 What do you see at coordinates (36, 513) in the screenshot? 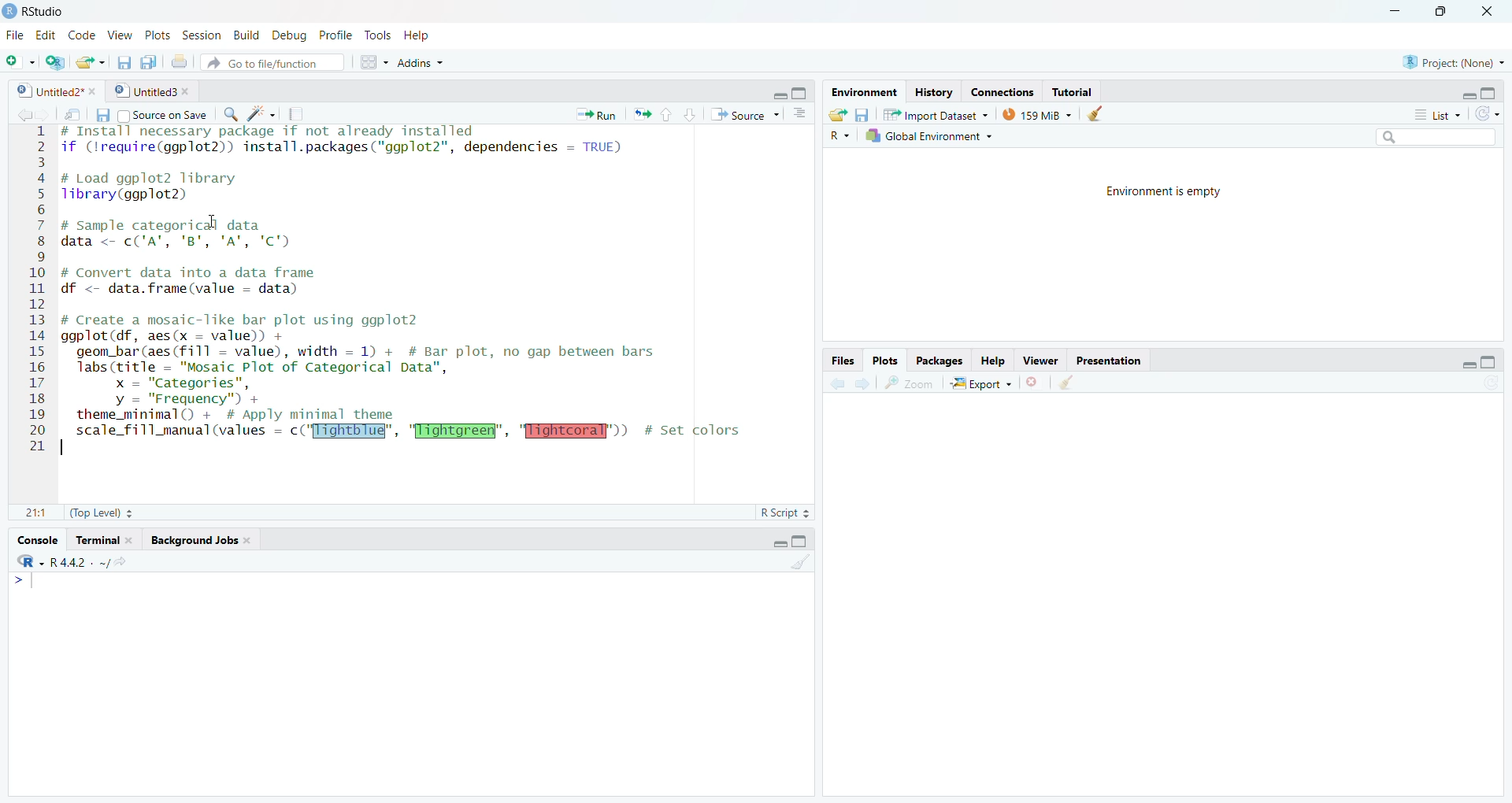
I see `1:1` at bounding box center [36, 513].